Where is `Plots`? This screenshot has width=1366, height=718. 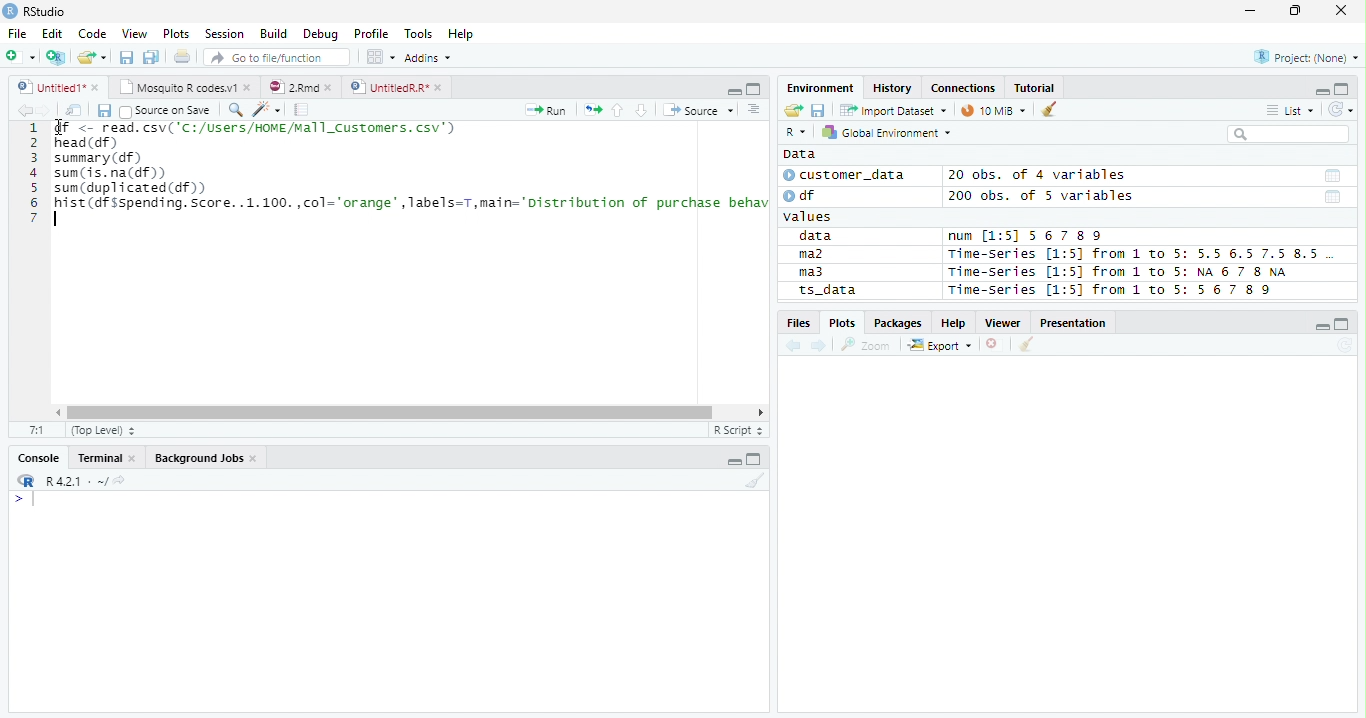 Plots is located at coordinates (176, 34).